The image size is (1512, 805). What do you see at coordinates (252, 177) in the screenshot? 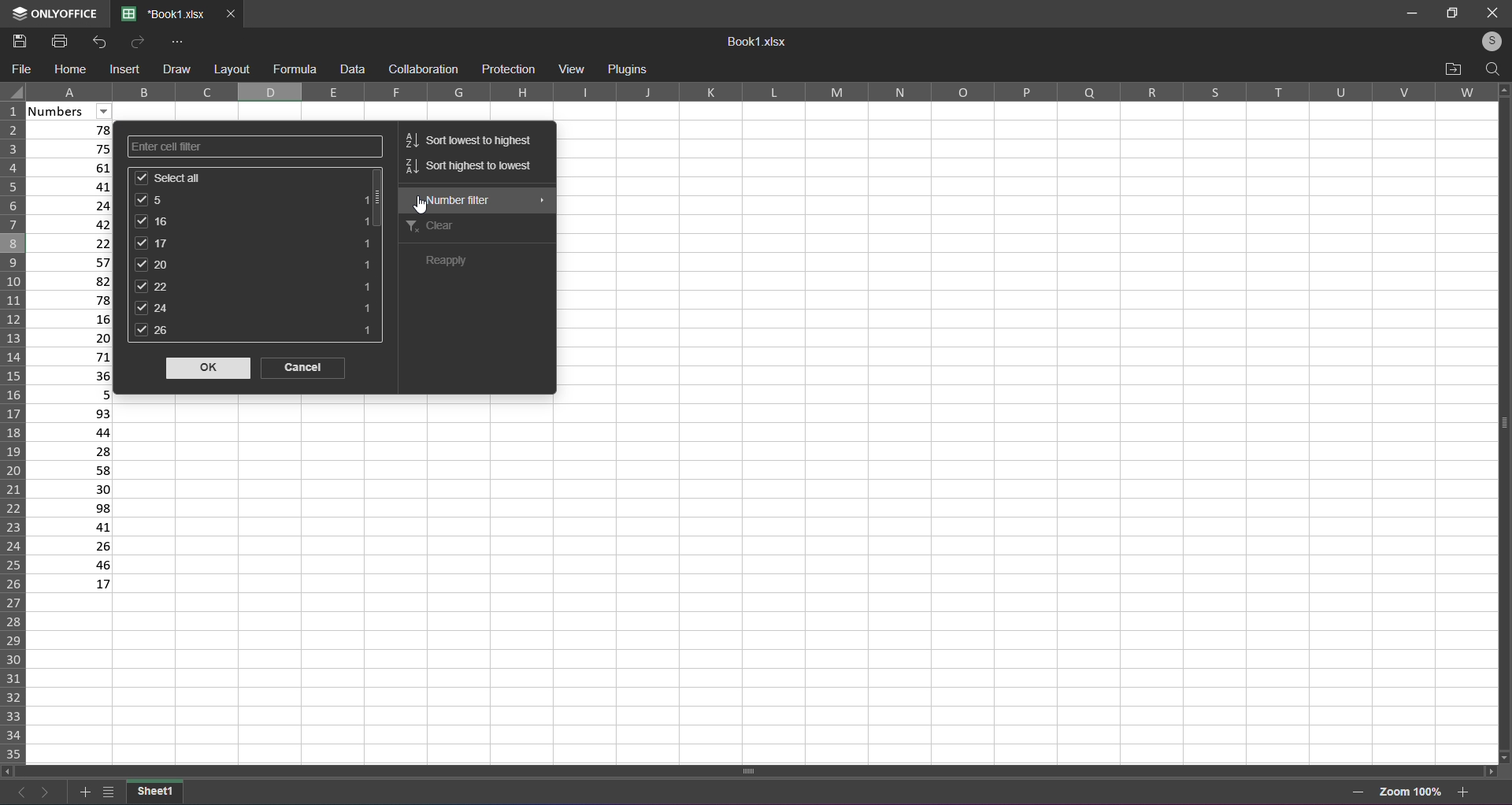
I see `Select all` at bounding box center [252, 177].